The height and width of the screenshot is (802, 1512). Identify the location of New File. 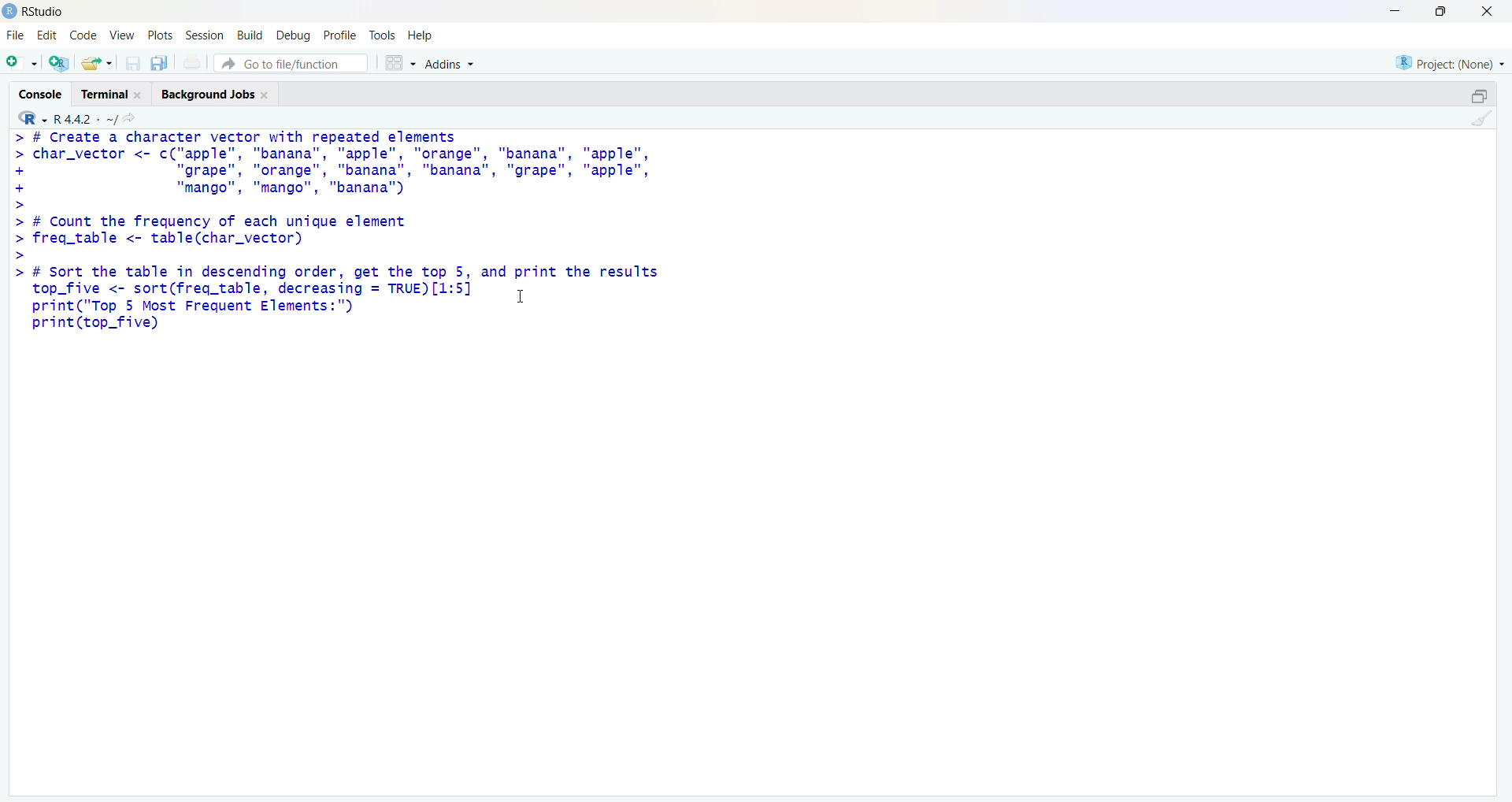
(20, 64).